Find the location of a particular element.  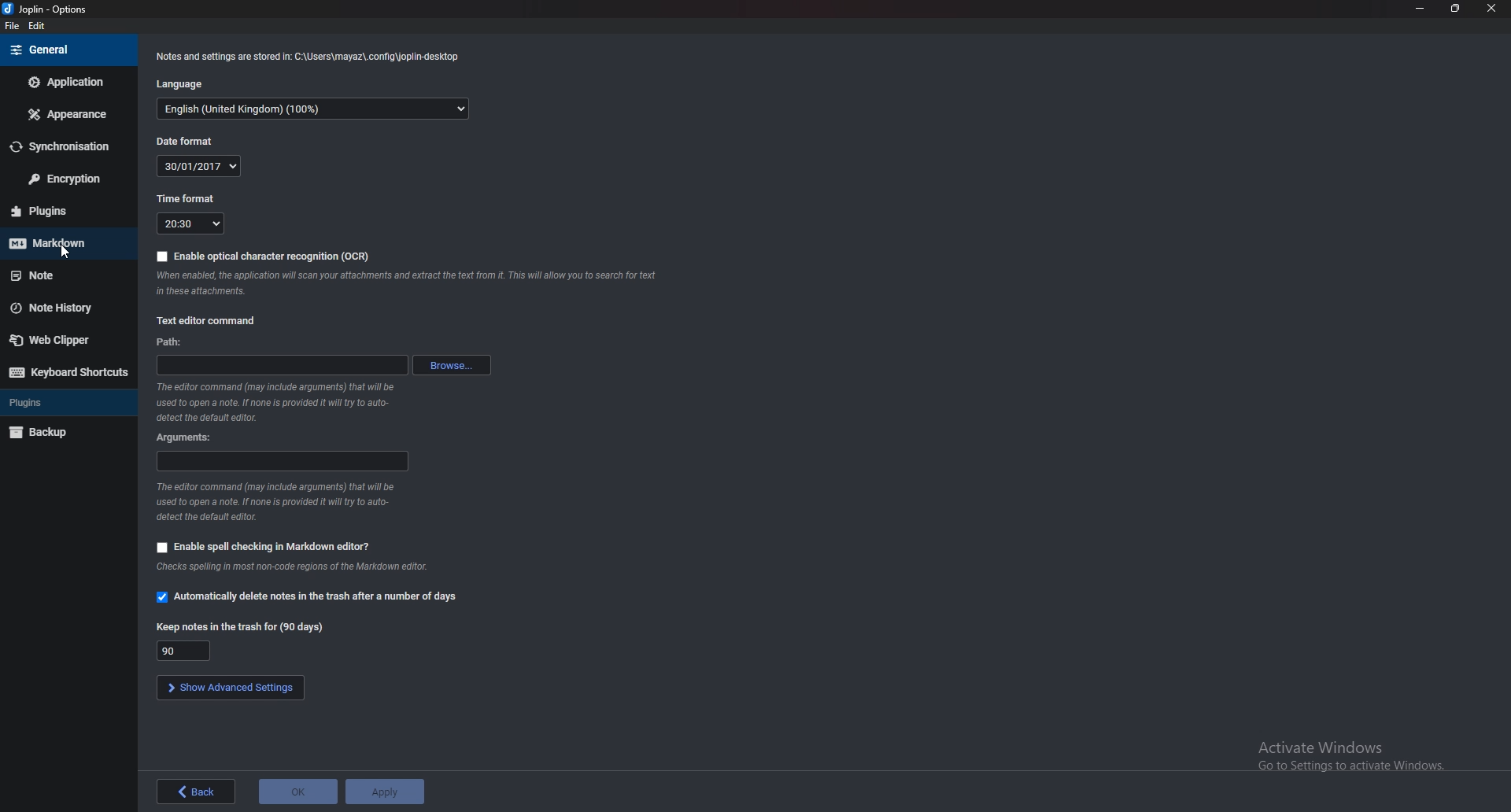

30/01/2017(date) is located at coordinates (203, 167).